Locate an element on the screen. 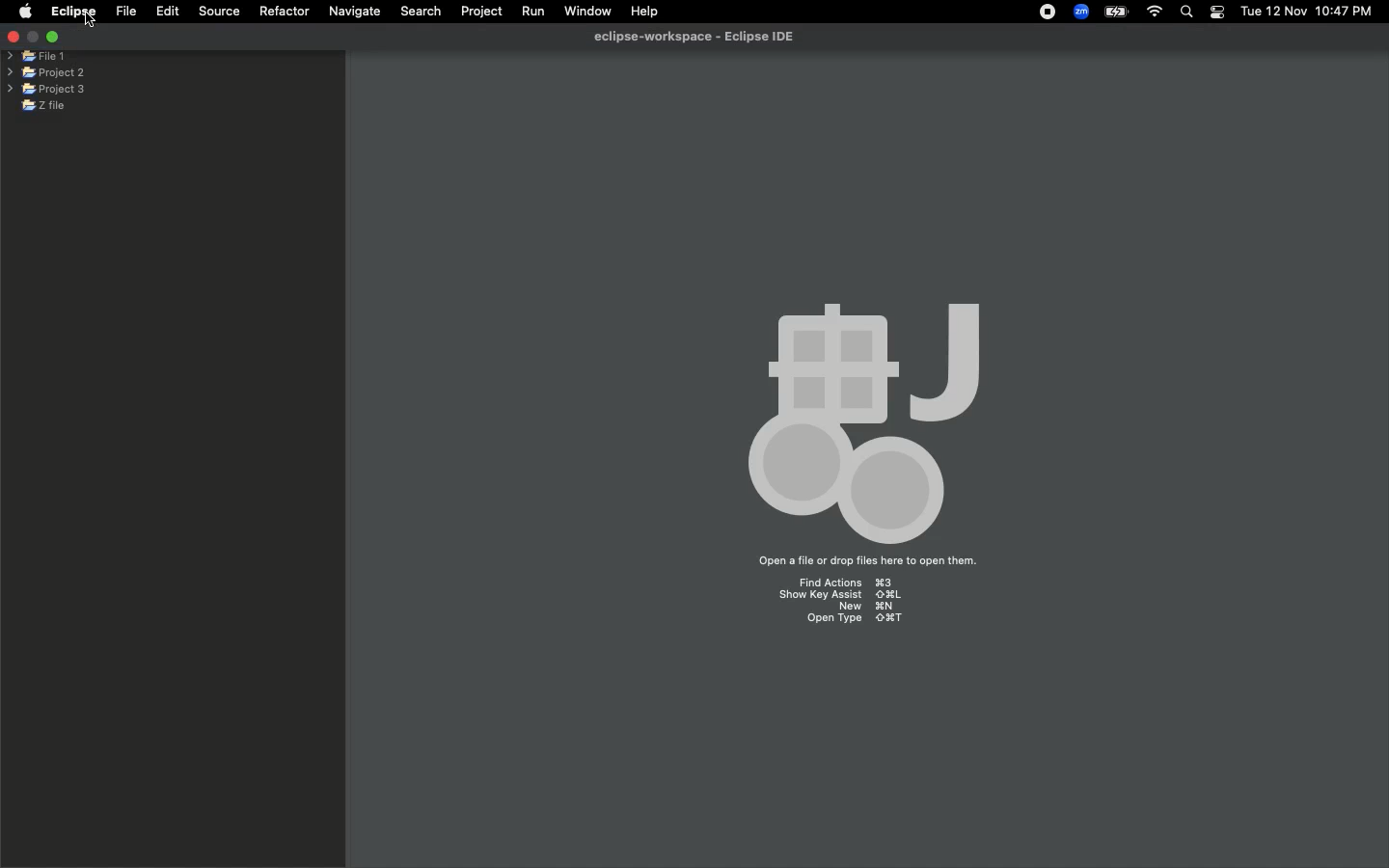  Search is located at coordinates (422, 13).